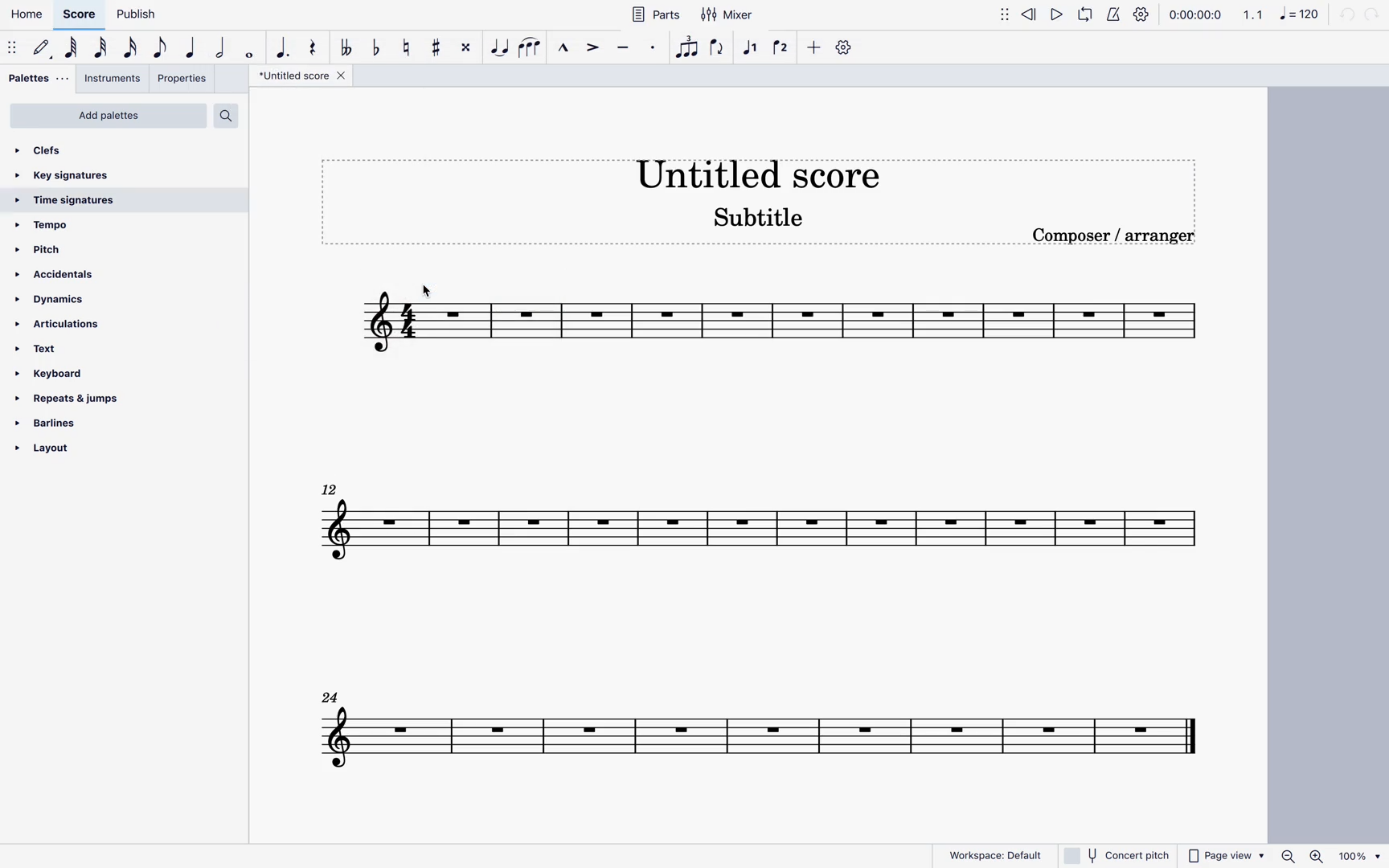 The height and width of the screenshot is (868, 1389). Describe the element at coordinates (654, 14) in the screenshot. I see `parts` at that location.